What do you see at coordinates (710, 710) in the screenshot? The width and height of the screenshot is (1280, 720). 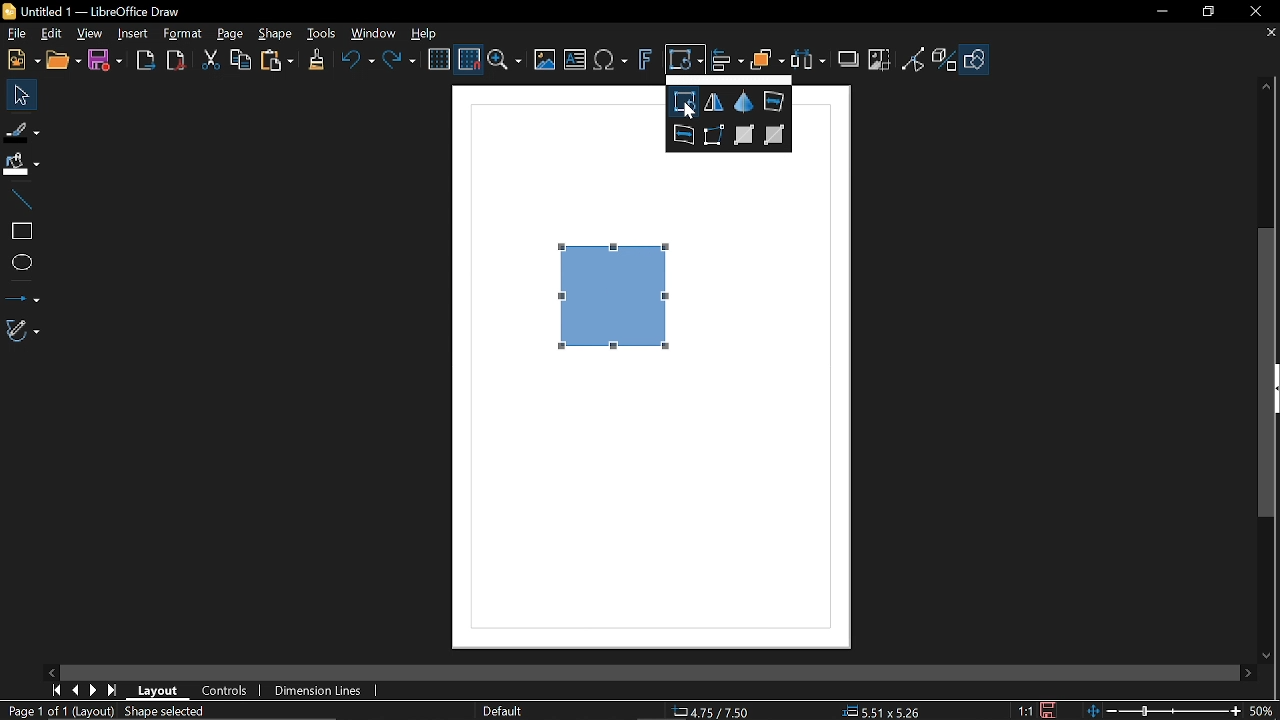 I see `4.75/7.50 (Cursor Position)` at bounding box center [710, 710].